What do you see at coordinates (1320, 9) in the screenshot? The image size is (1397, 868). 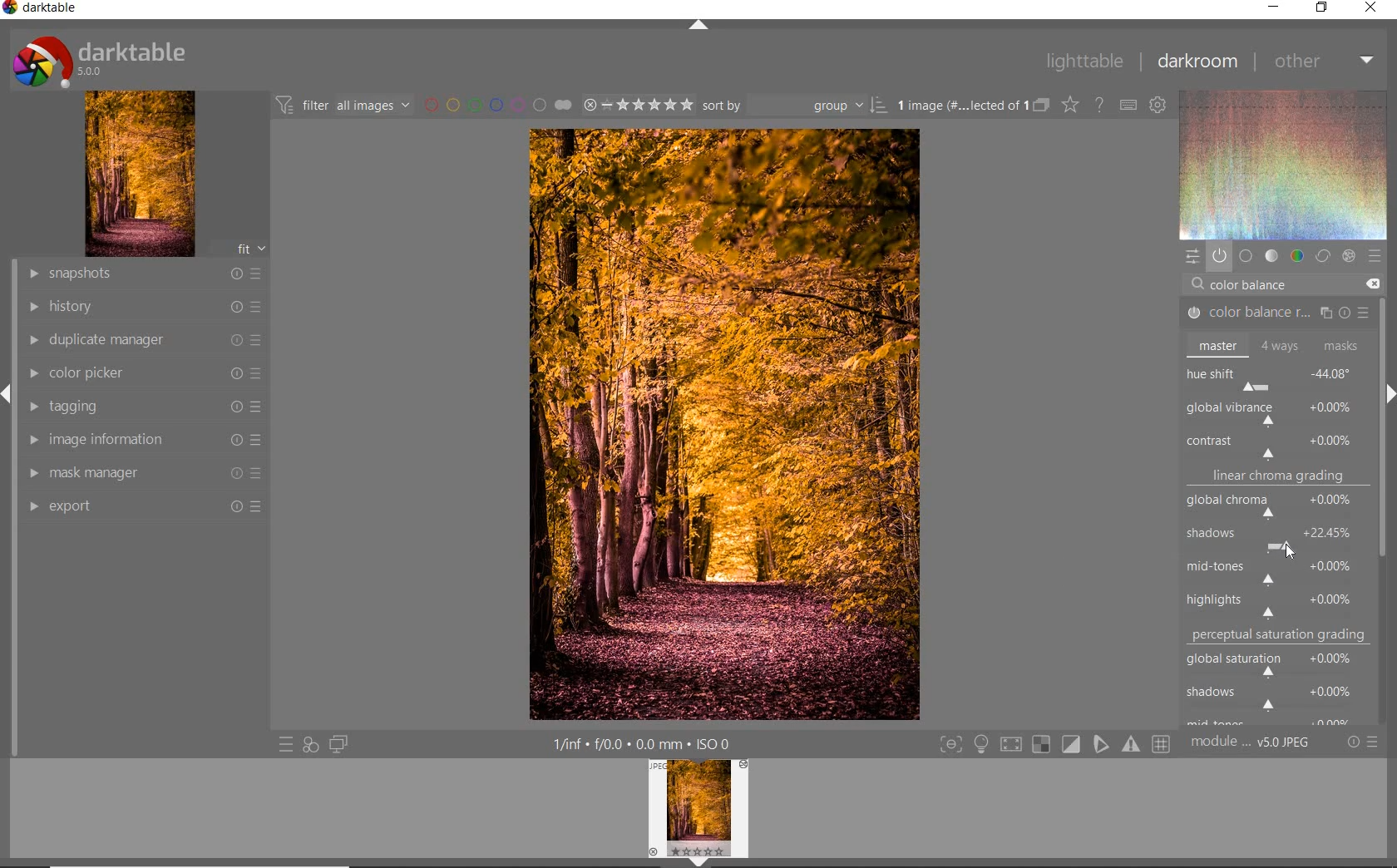 I see `restore` at bounding box center [1320, 9].